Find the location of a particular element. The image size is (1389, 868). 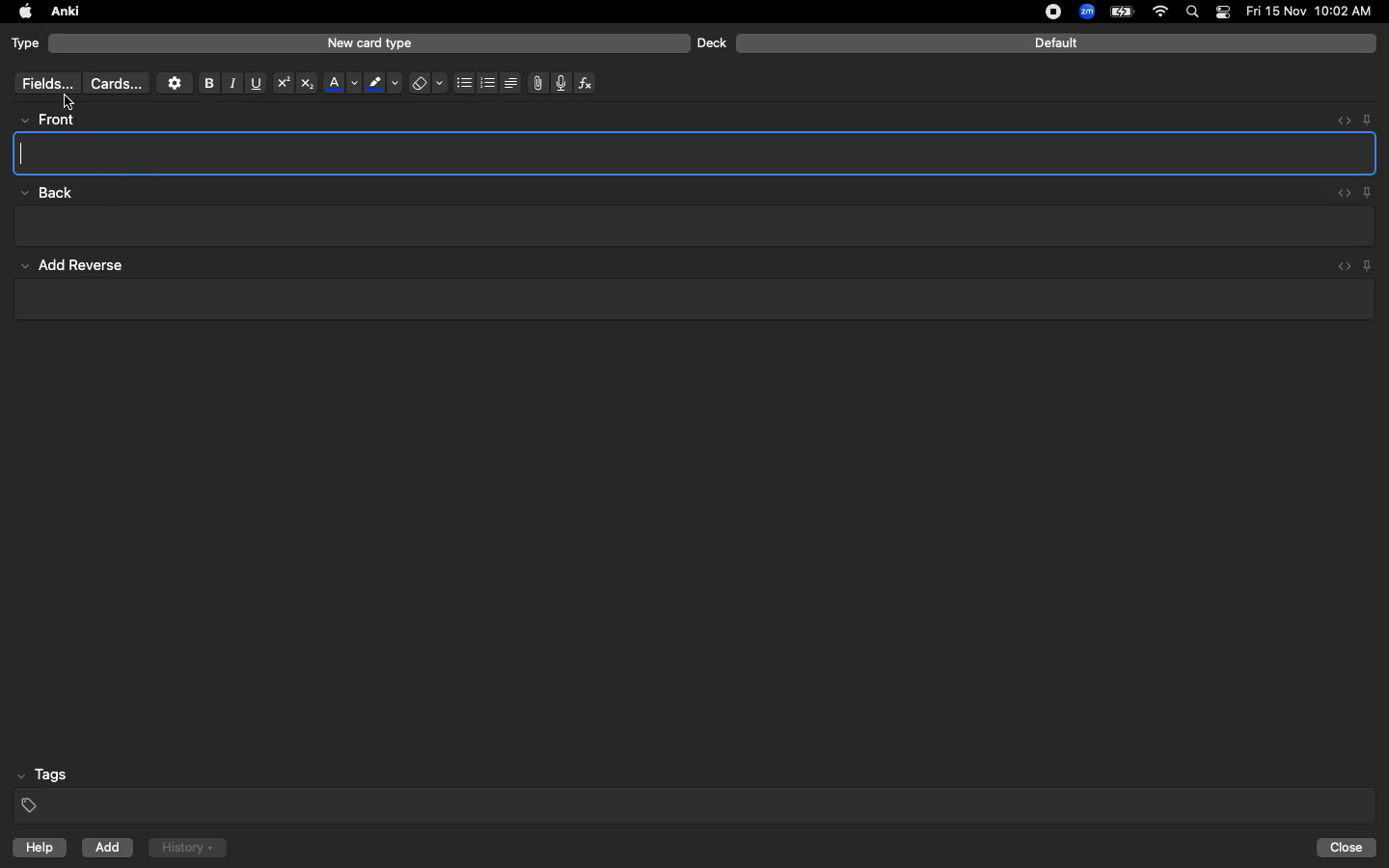

Superscript is located at coordinates (282, 84).